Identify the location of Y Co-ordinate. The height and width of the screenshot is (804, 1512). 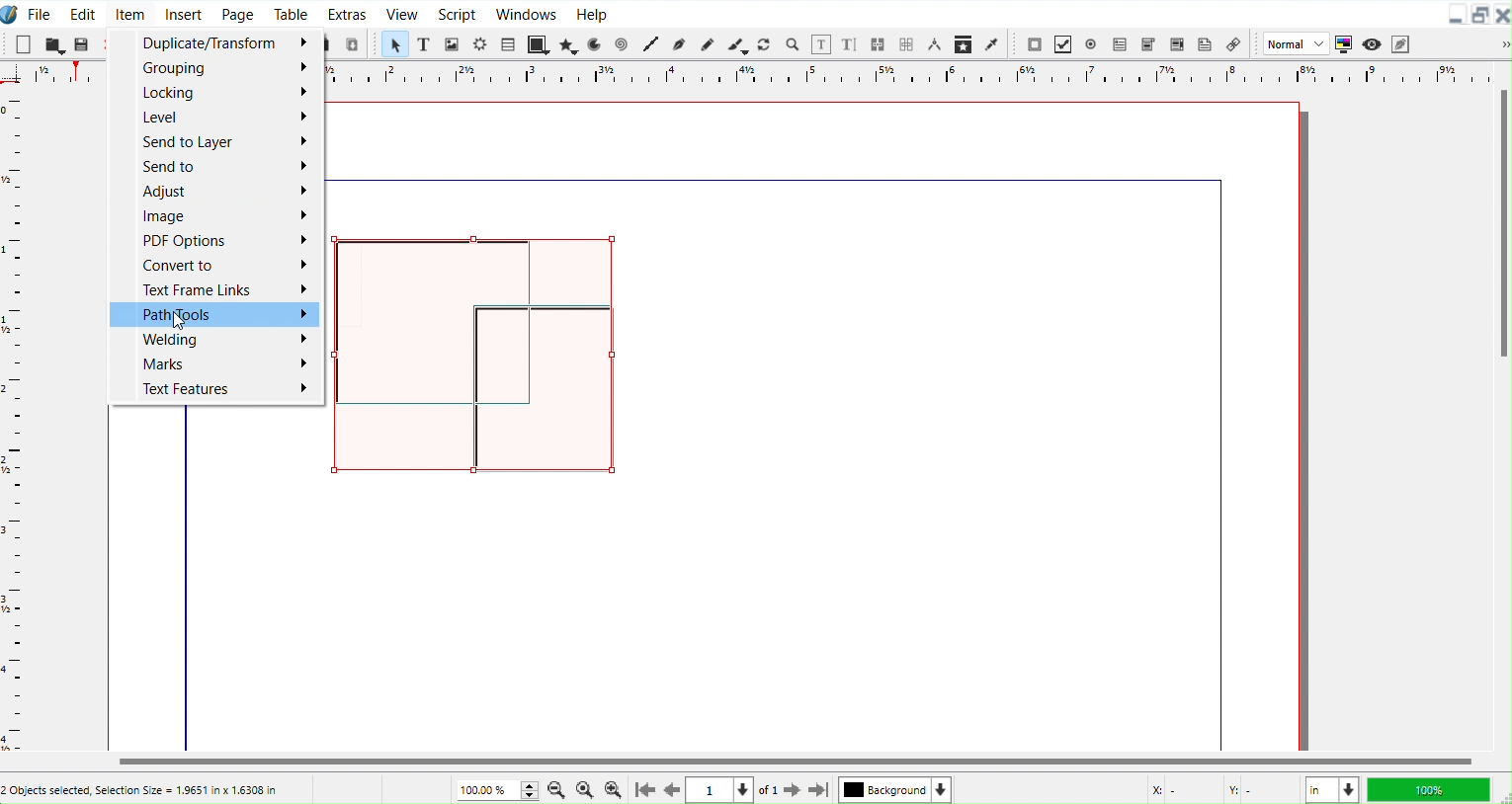
(1260, 791).